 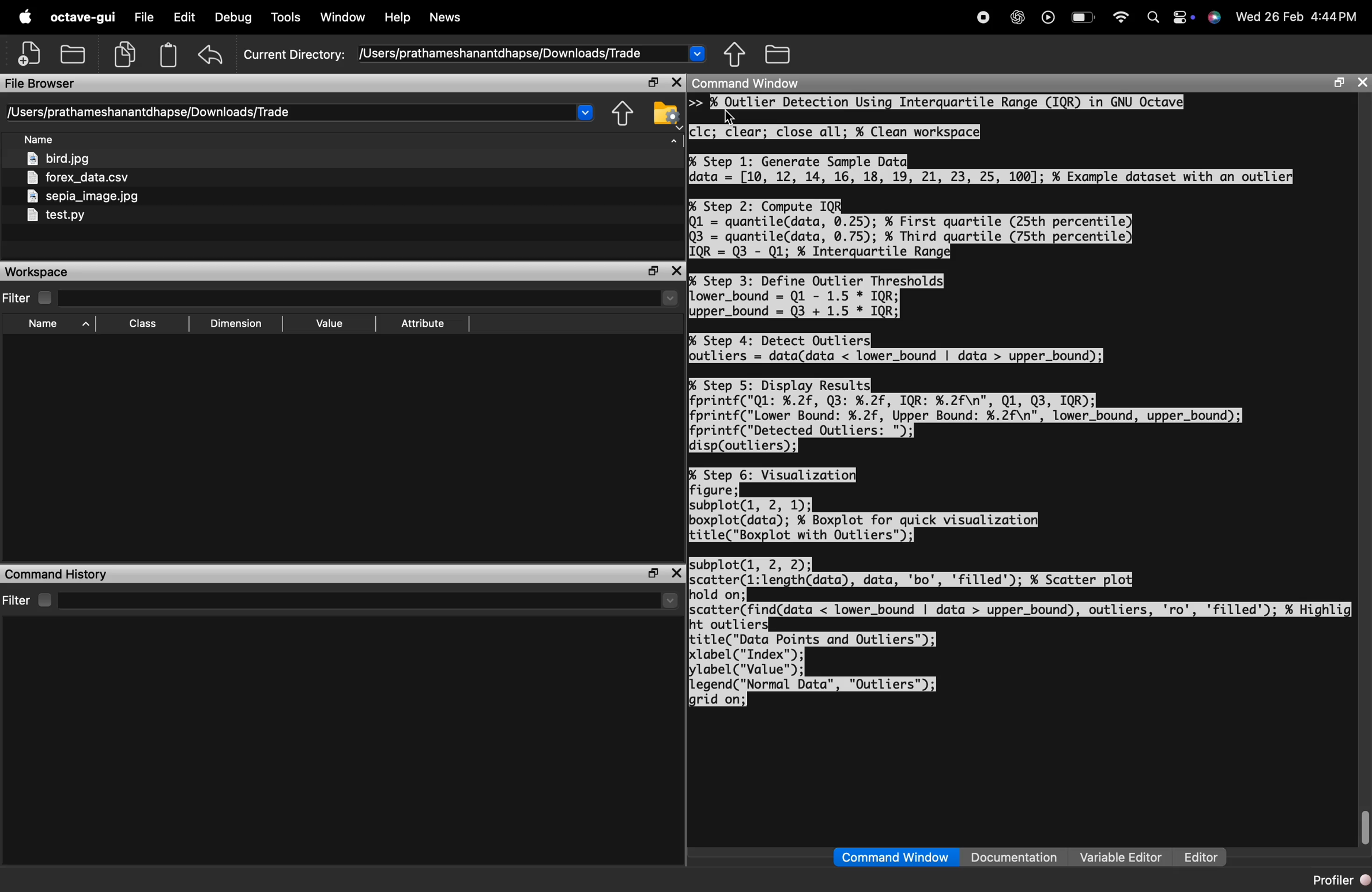 What do you see at coordinates (82, 17) in the screenshot?
I see `octave-gui` at bounding box center [82, 17].